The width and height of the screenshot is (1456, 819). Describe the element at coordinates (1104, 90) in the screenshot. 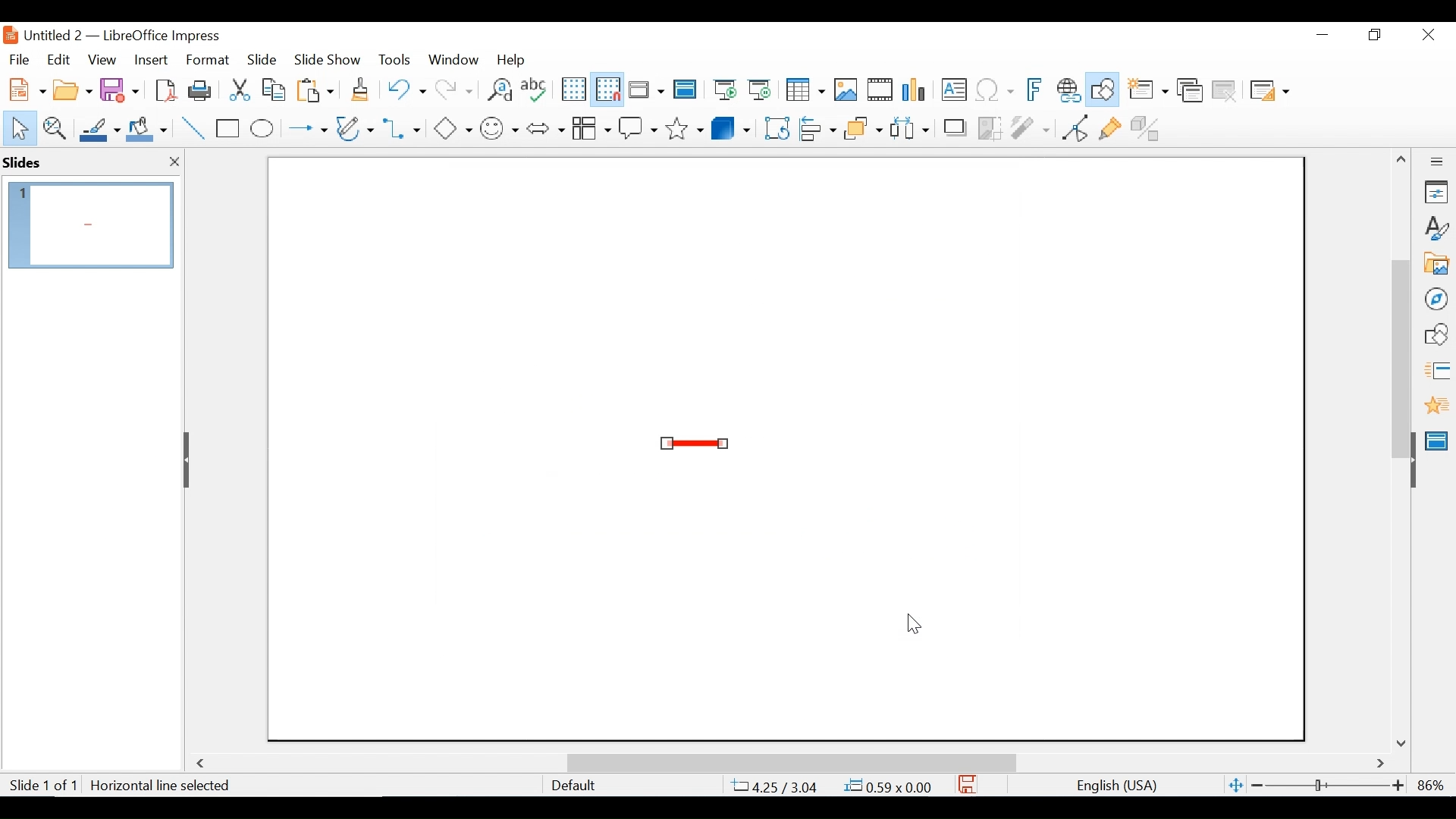

I see `Show Draw Functions` at that location.